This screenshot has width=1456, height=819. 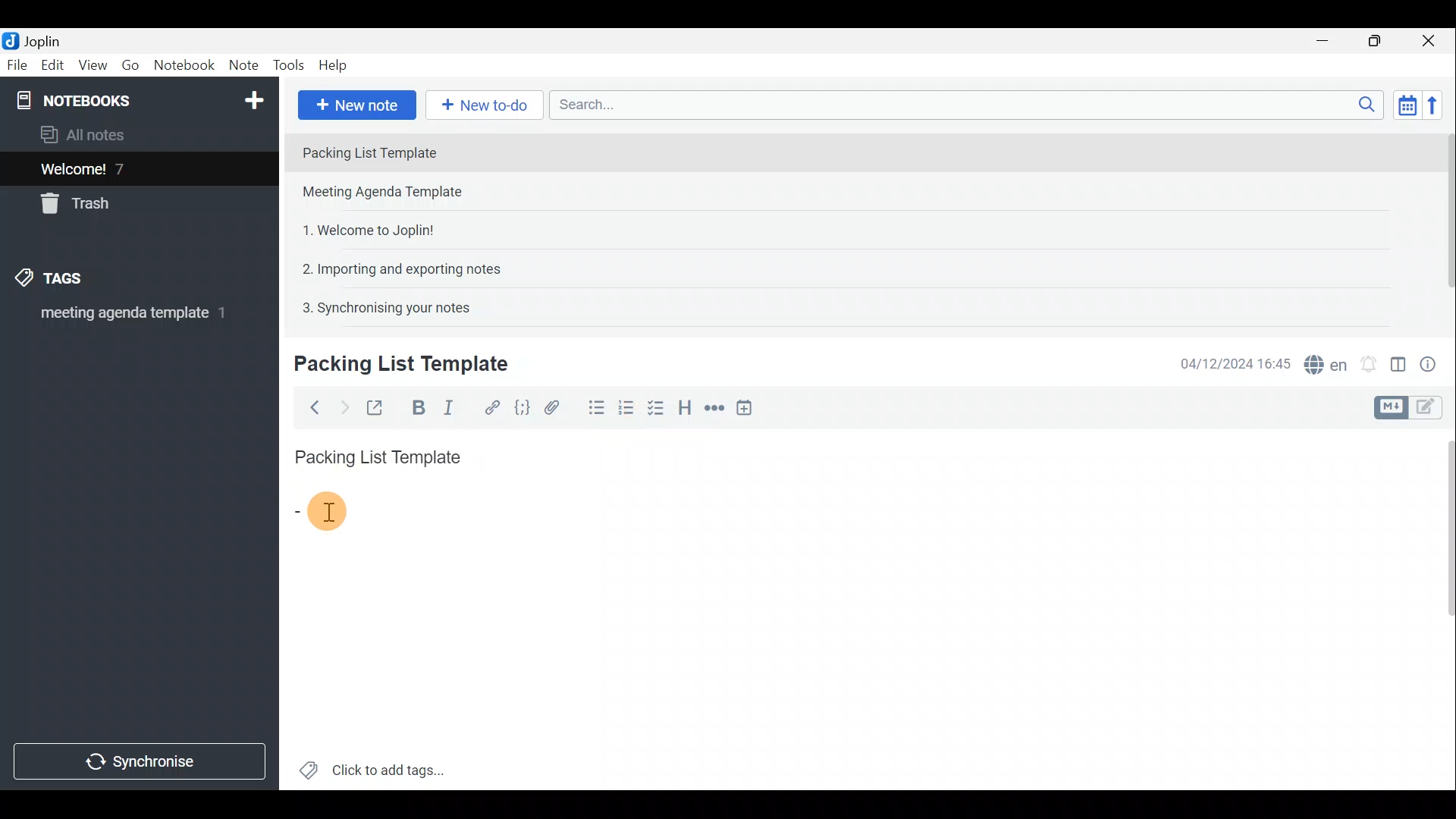 What do you see at coordinates (522, 406) in the screenshot?
I see `Code` at bounding box center [522, 406].